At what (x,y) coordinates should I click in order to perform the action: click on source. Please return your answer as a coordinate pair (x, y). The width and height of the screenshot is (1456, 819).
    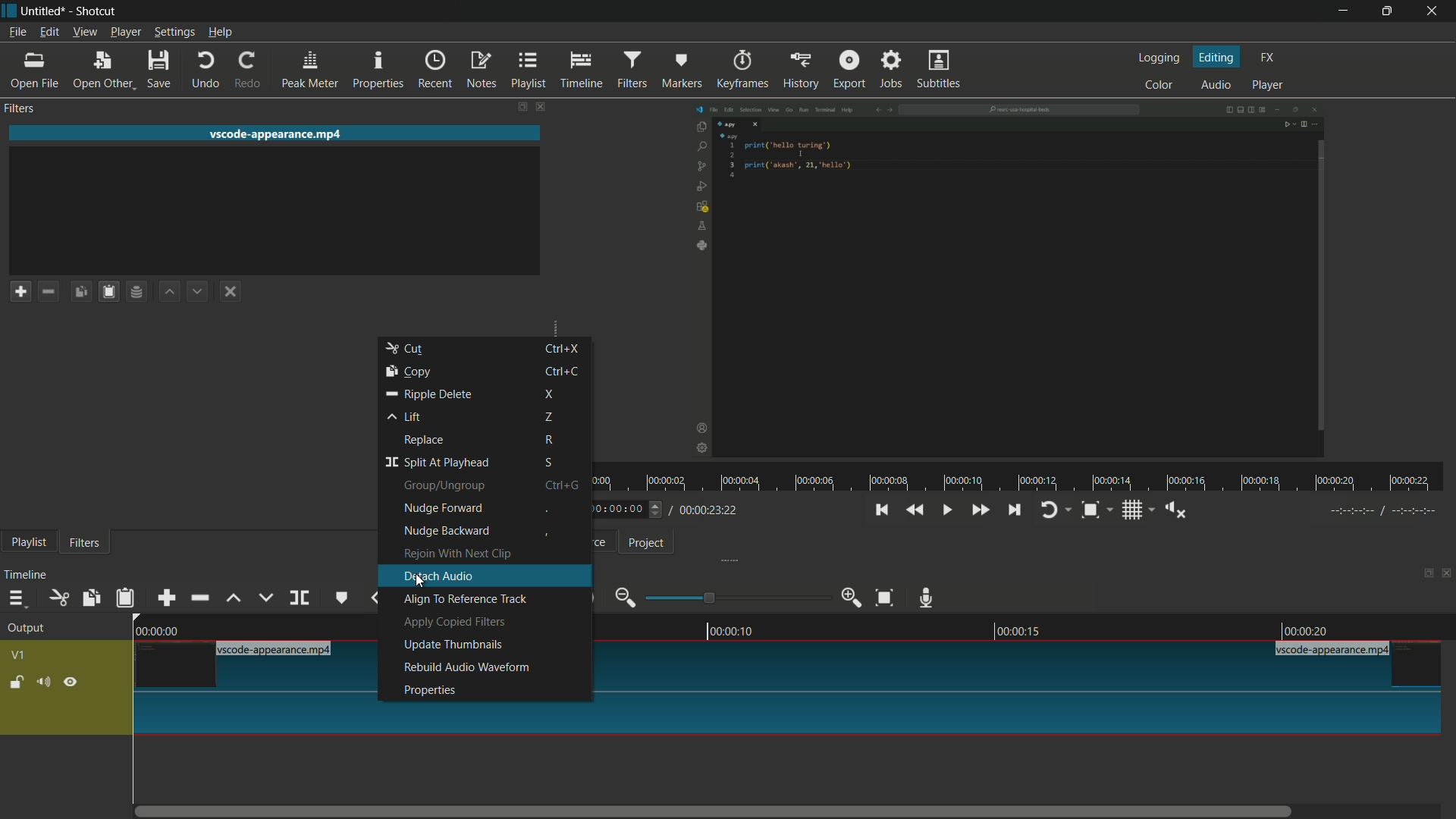
    Looking at the image, I should click on (602, 541).